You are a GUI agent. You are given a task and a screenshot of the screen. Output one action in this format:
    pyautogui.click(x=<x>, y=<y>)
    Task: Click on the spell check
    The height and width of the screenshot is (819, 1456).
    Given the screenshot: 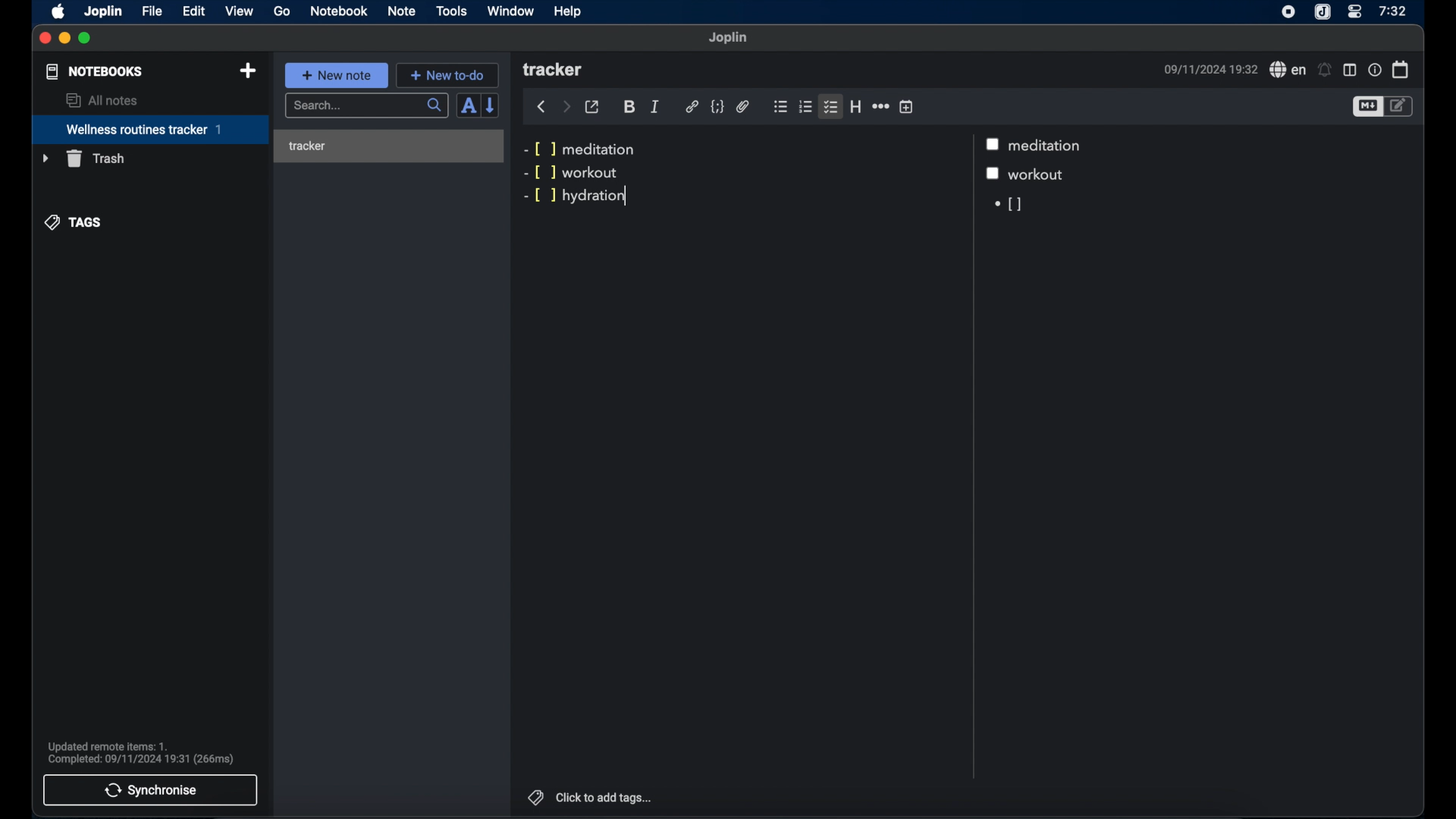 What is the action you would take?
    pyautogui.click(x=1285, y=69)
    